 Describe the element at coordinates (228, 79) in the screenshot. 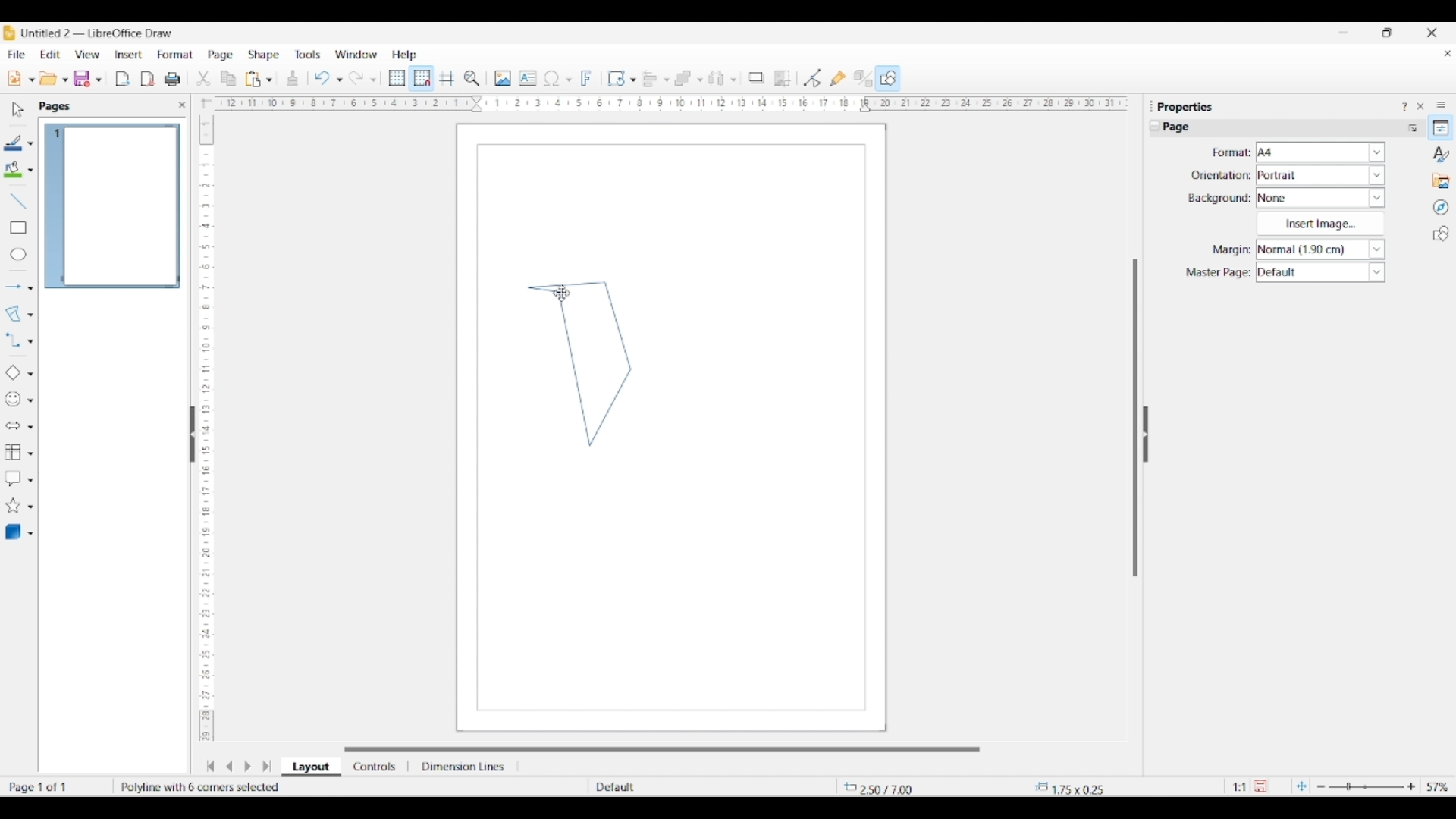

I see `Selected copy options` at that location.